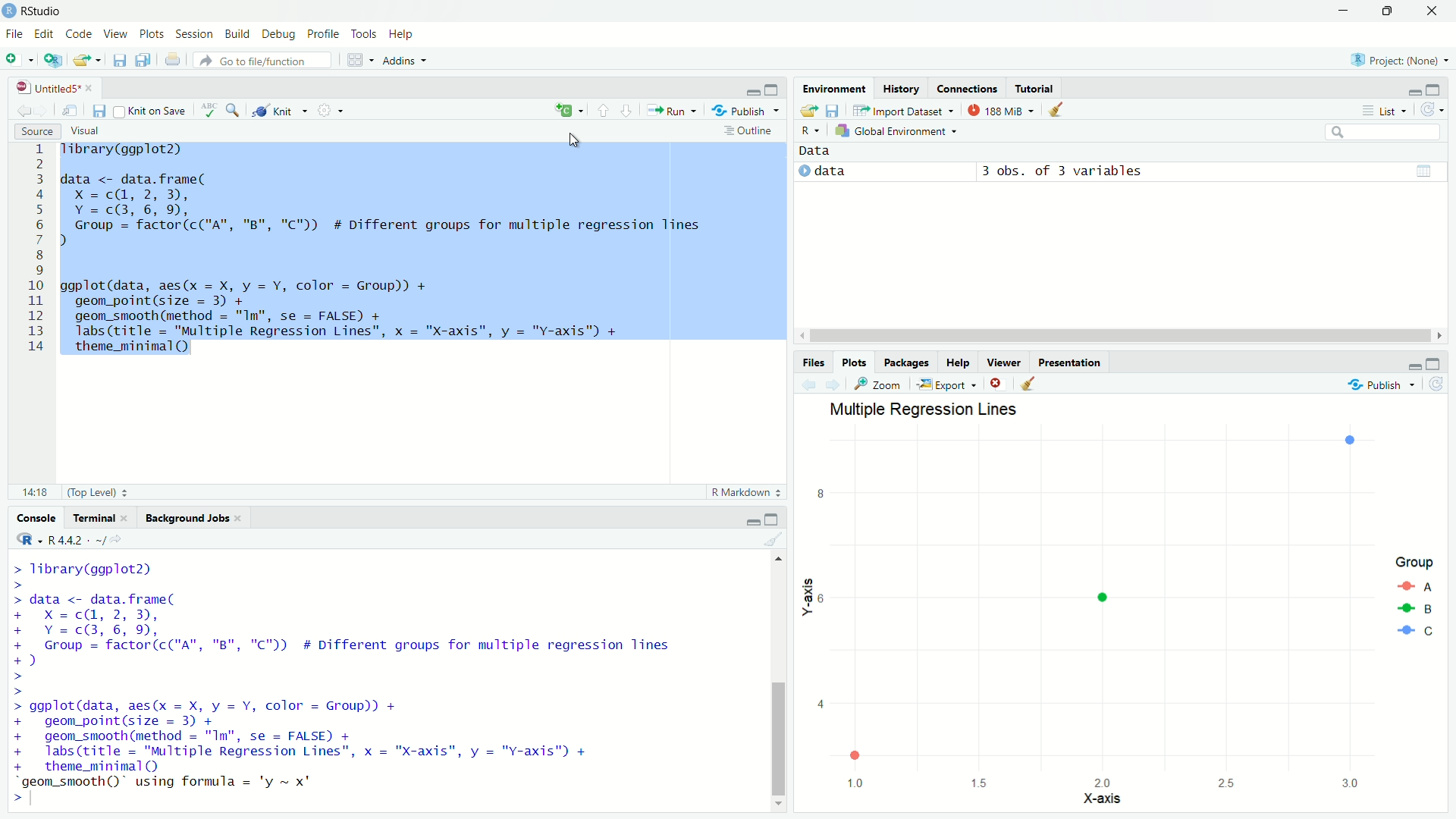 This screenshot has width=1456, height=819. What do you see at coordinates (769, 540) in the screenshot?
I see `clear` at bounding box center [769, 540].